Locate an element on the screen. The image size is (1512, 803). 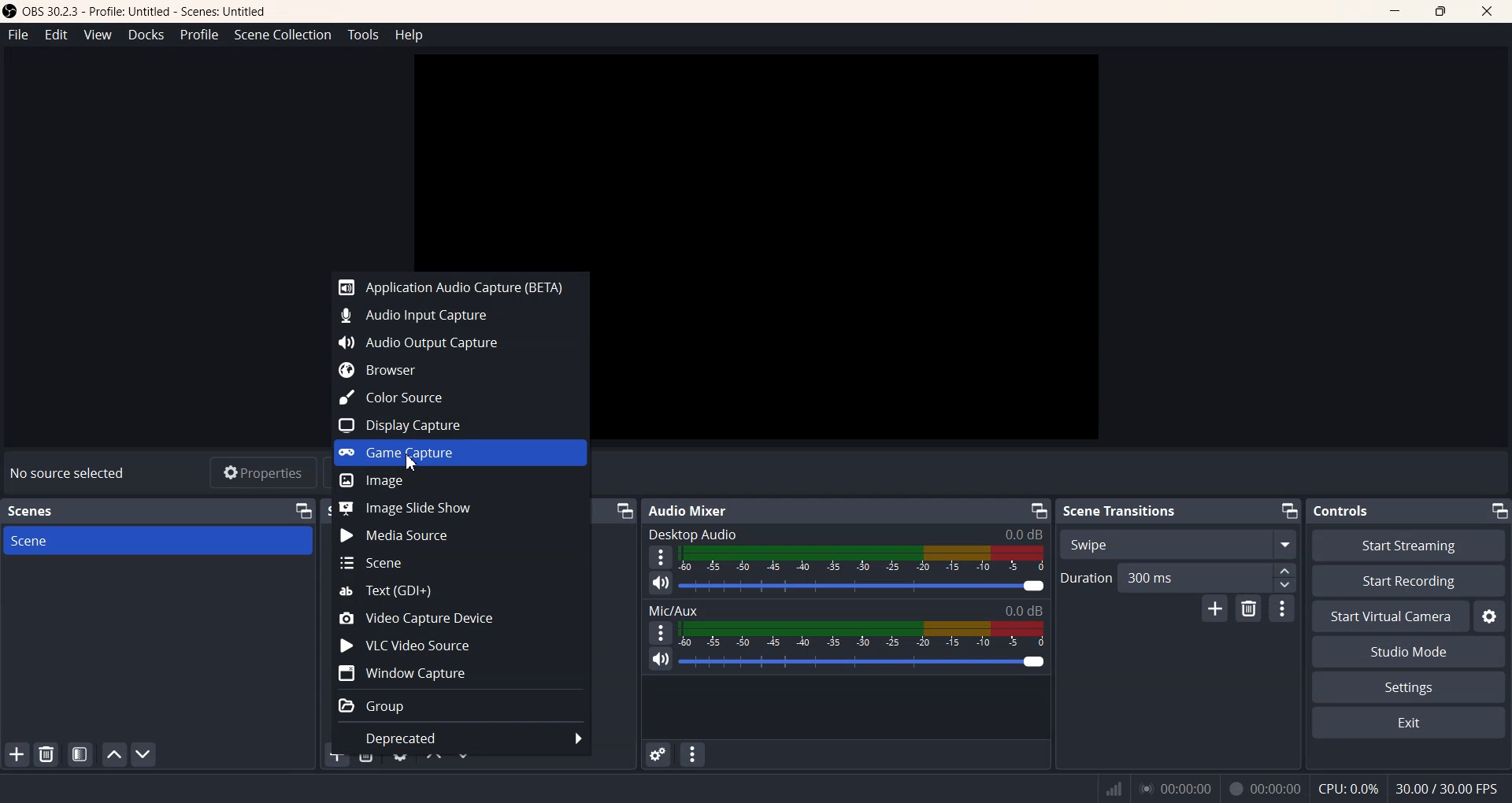
Media Sources is located at coordinates (461, 535).